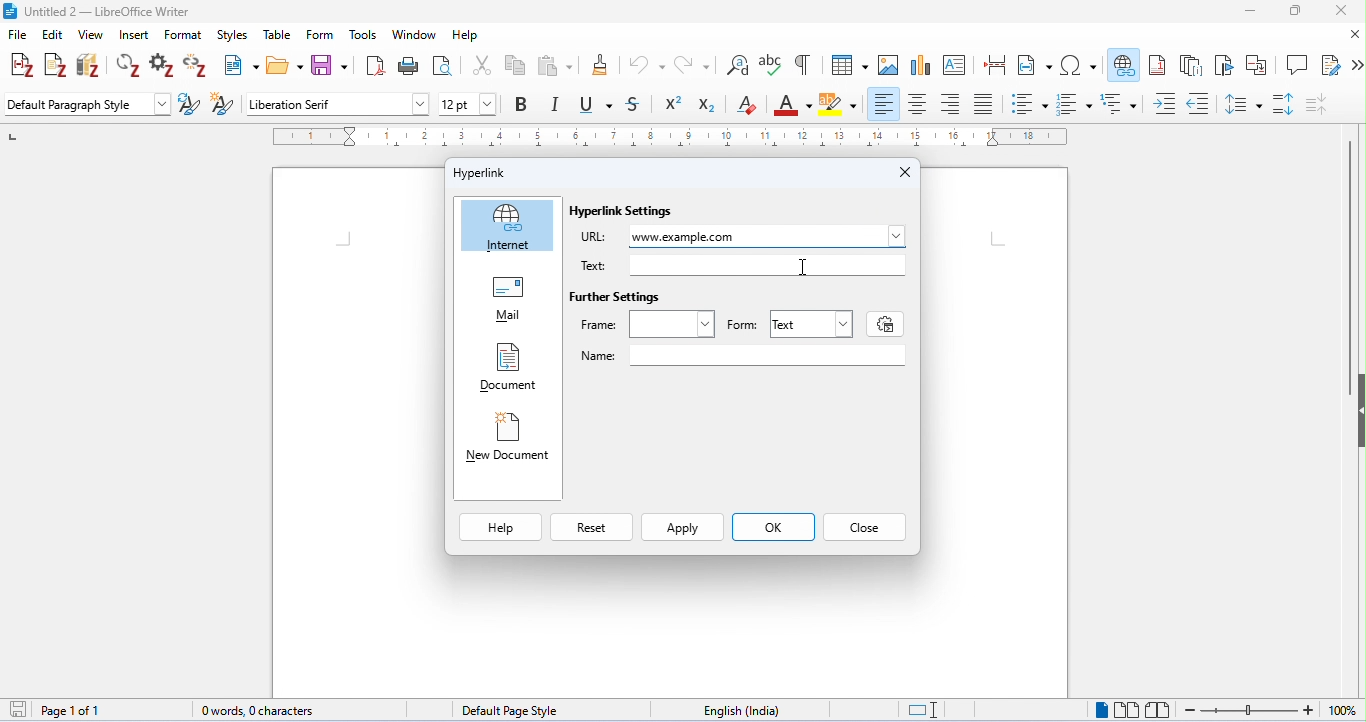 Image resolution: width=1366 pixels, height=722 pixels. I want to click on cursor moved, so click(803, 269).